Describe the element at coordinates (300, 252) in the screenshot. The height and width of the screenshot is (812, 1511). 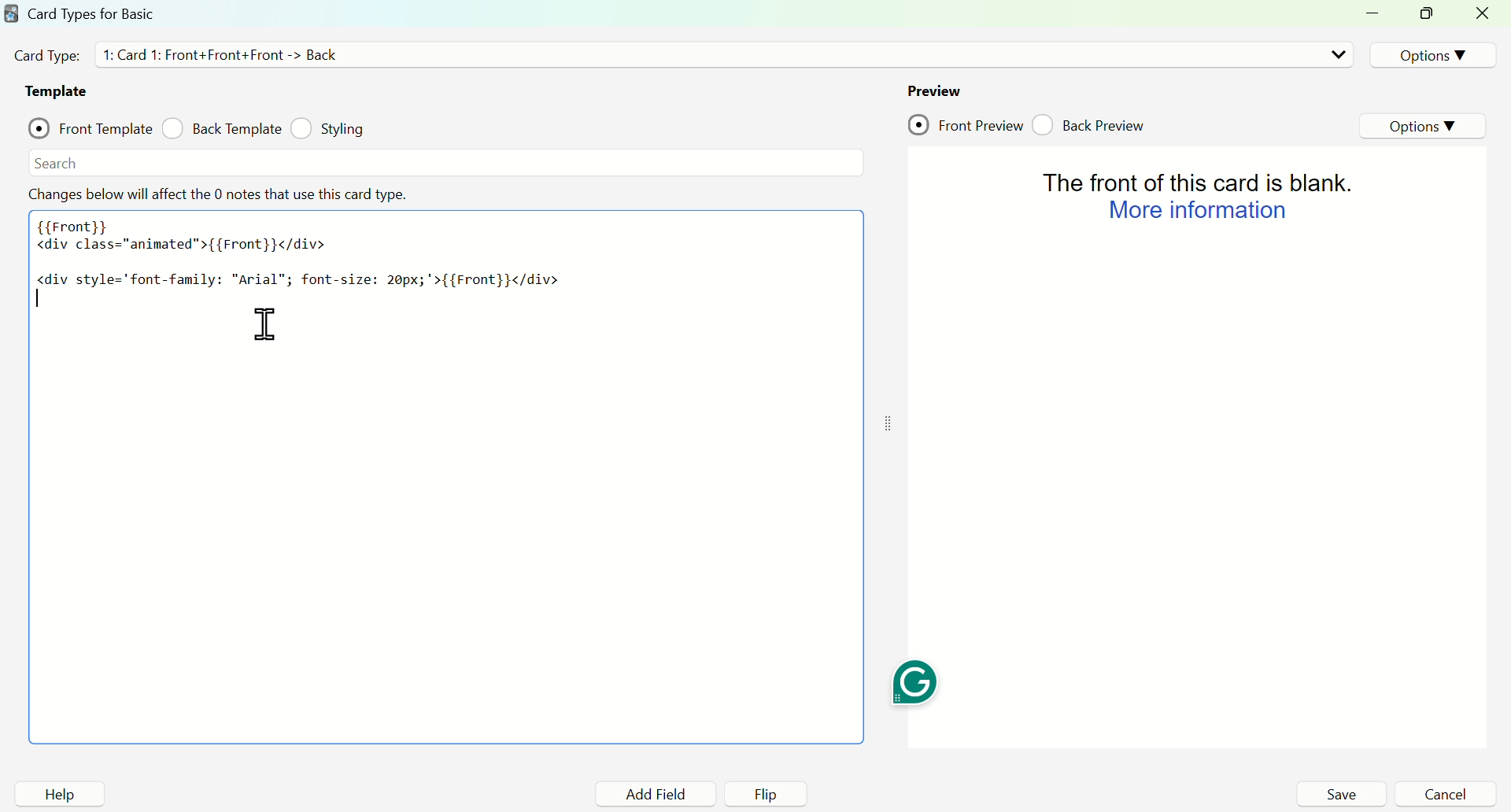
I see `code` at that location.